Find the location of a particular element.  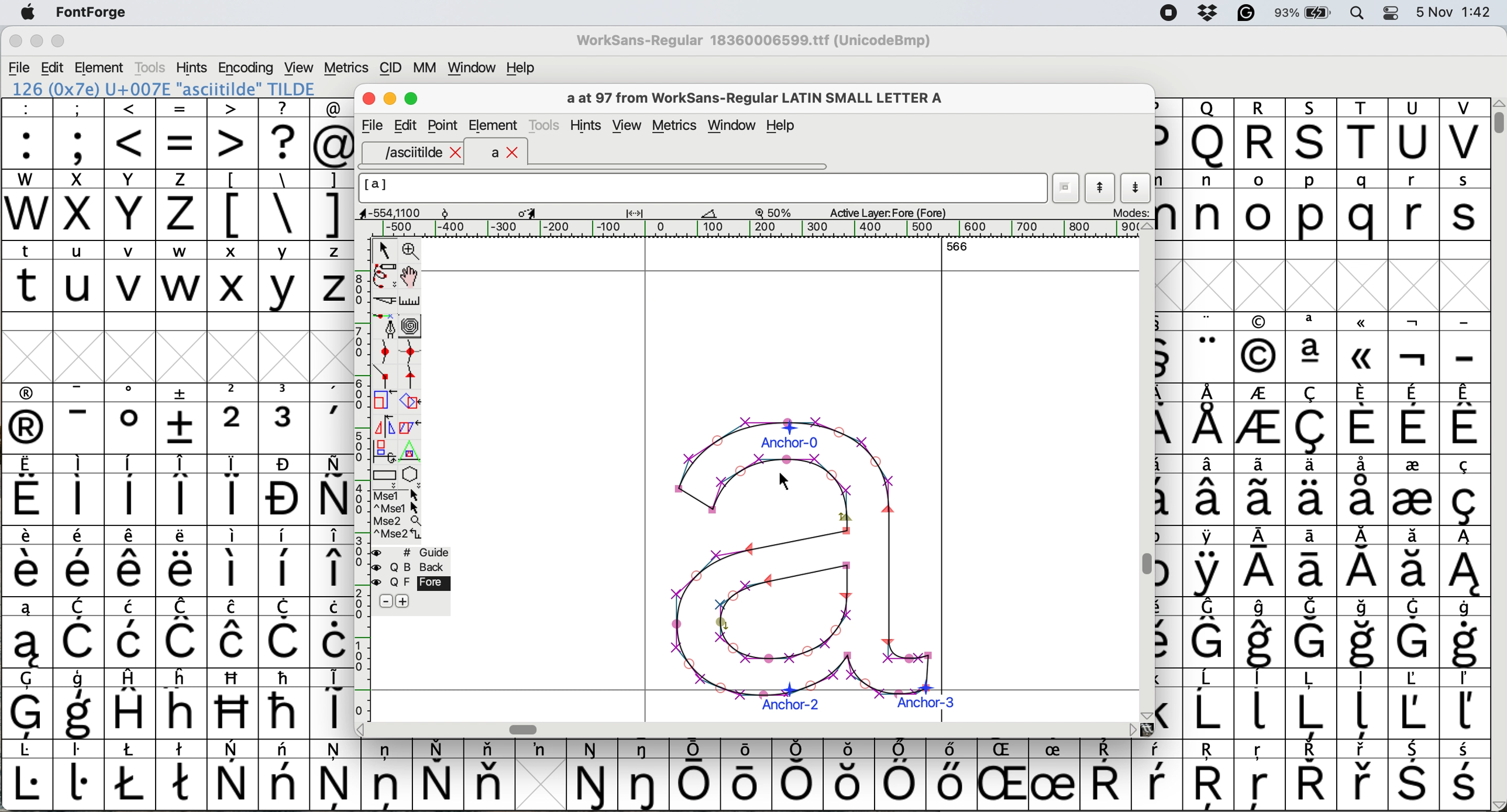

add a comer point is located at coordinates (386, 376).